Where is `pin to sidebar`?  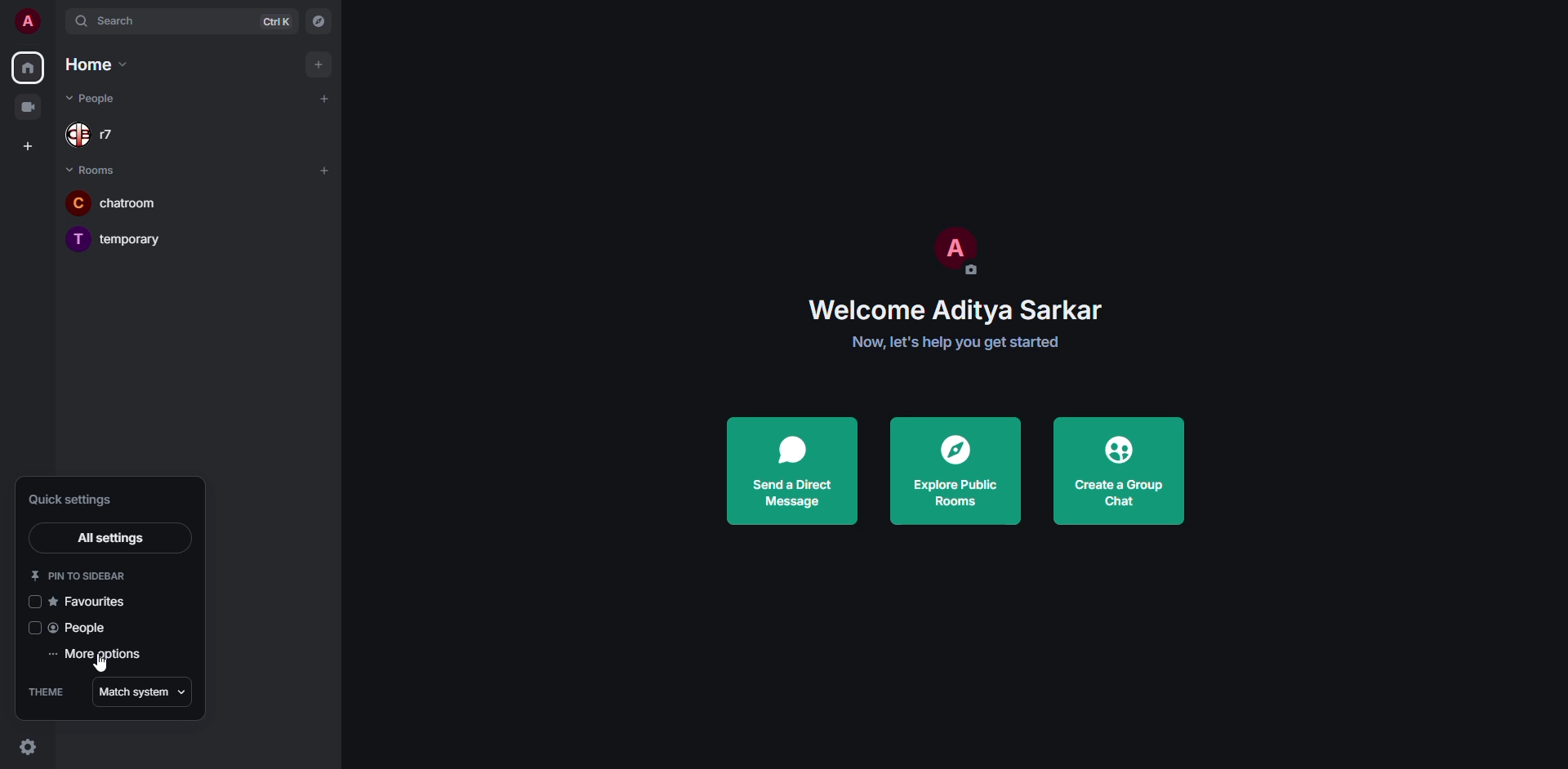
pin to sidebar is located at coordinates (80, 576).